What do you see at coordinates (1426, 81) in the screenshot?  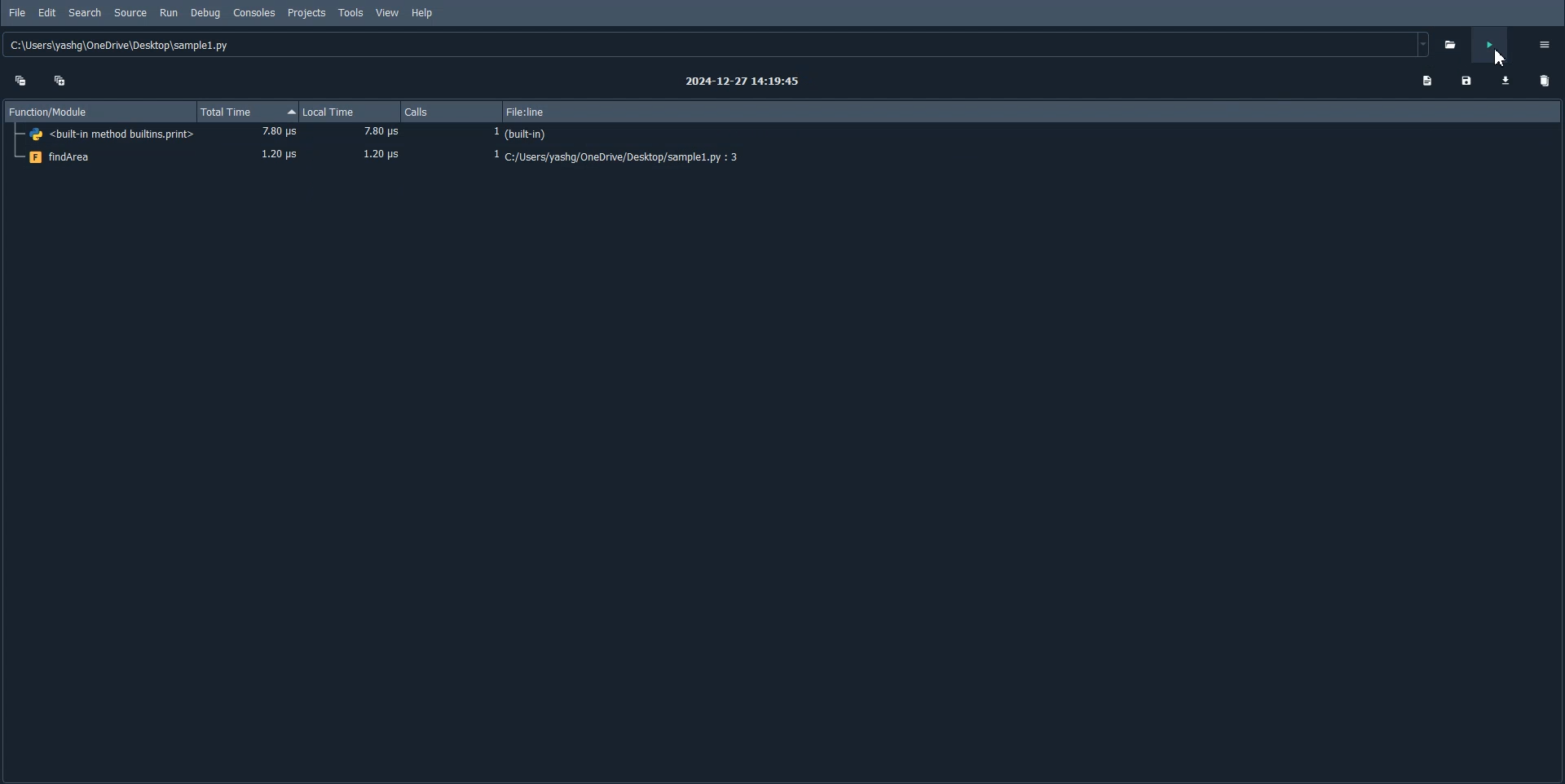 I see `Show programs output` at bounding box center [1426, 81].